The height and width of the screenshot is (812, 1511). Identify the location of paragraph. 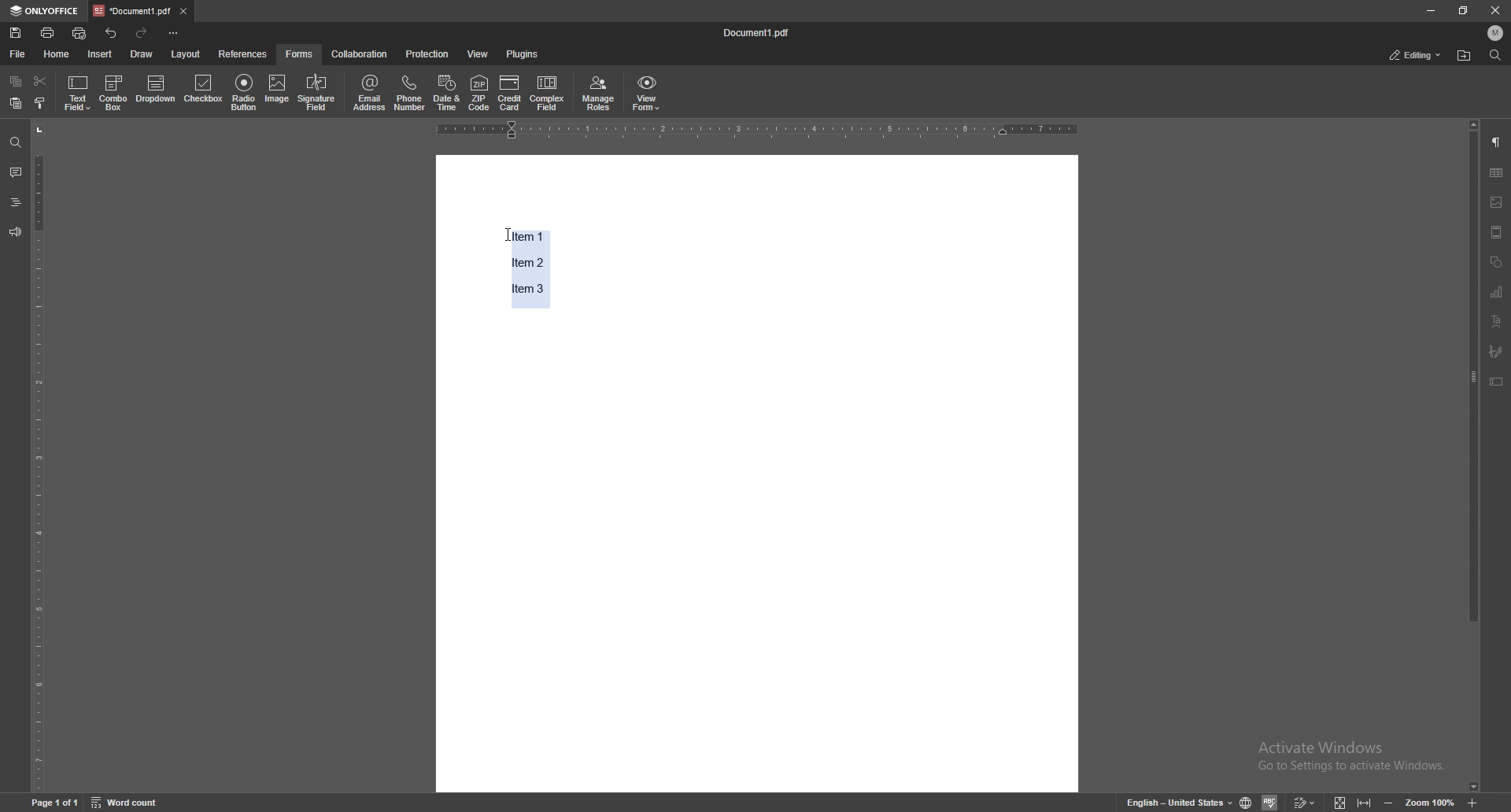
(1497, 142).